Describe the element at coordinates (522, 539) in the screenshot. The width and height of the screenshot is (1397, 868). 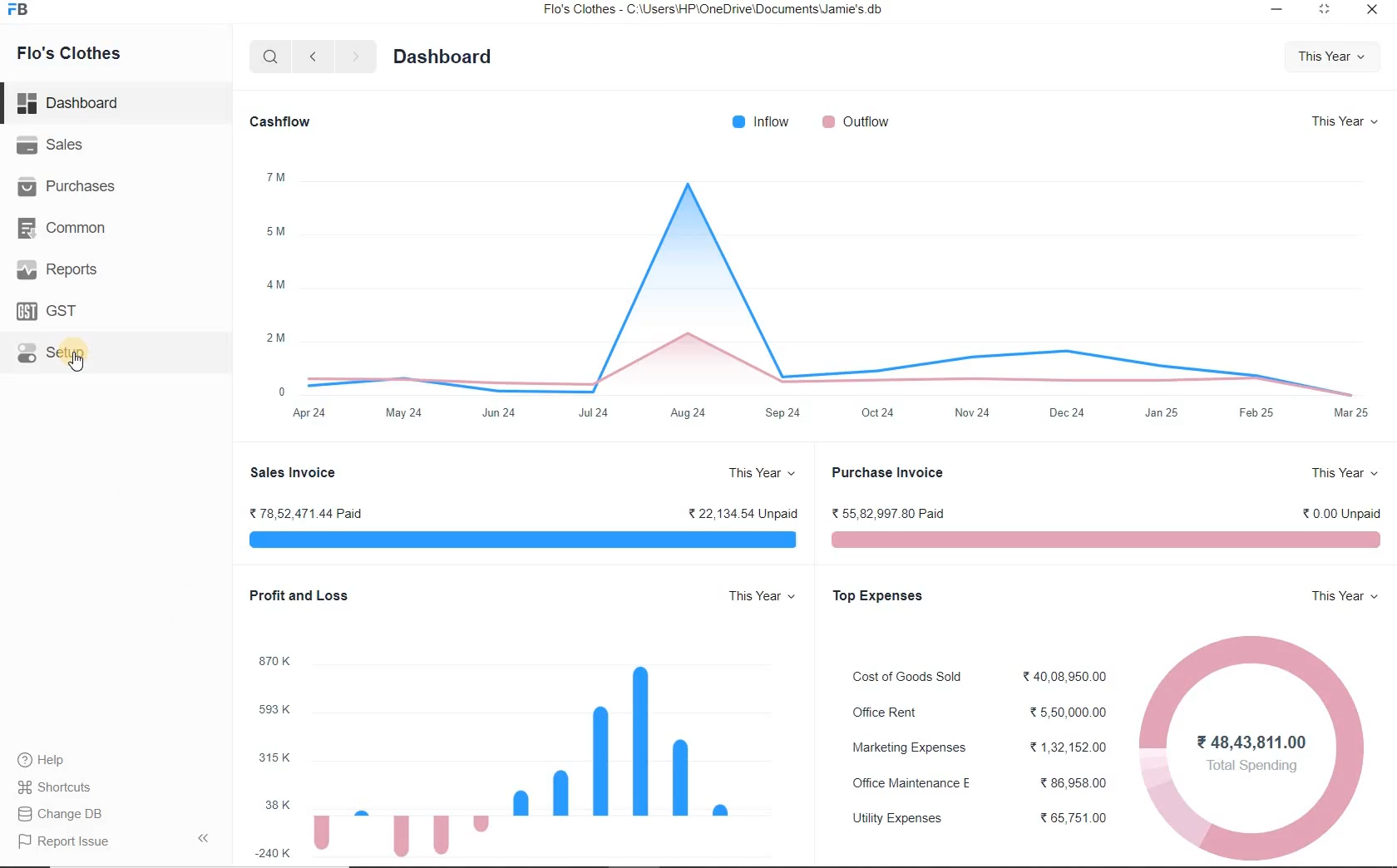
I see `sales invoice visualization` at that location.